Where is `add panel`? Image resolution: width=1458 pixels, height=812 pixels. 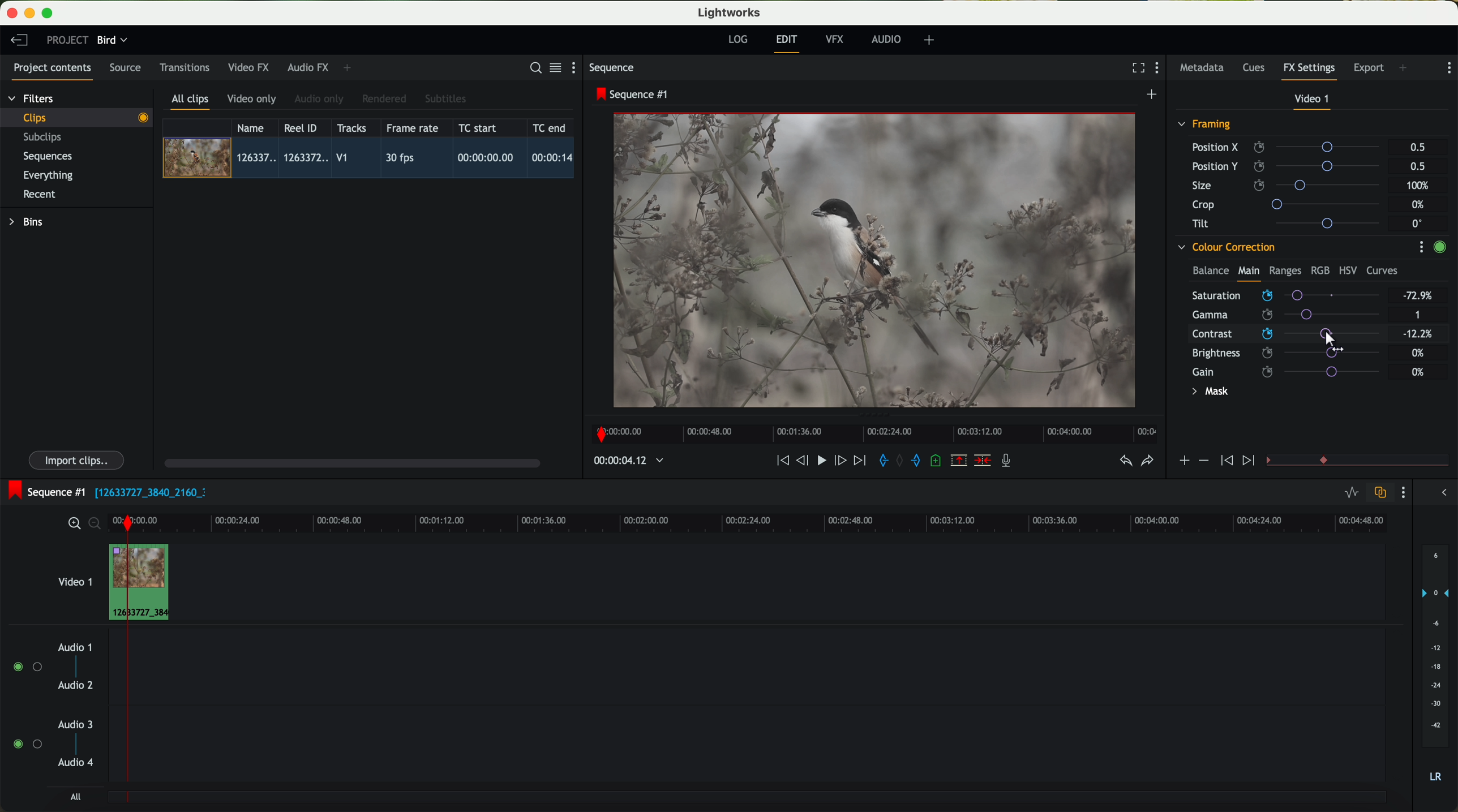
add panel is located at coordinates (350, 68).